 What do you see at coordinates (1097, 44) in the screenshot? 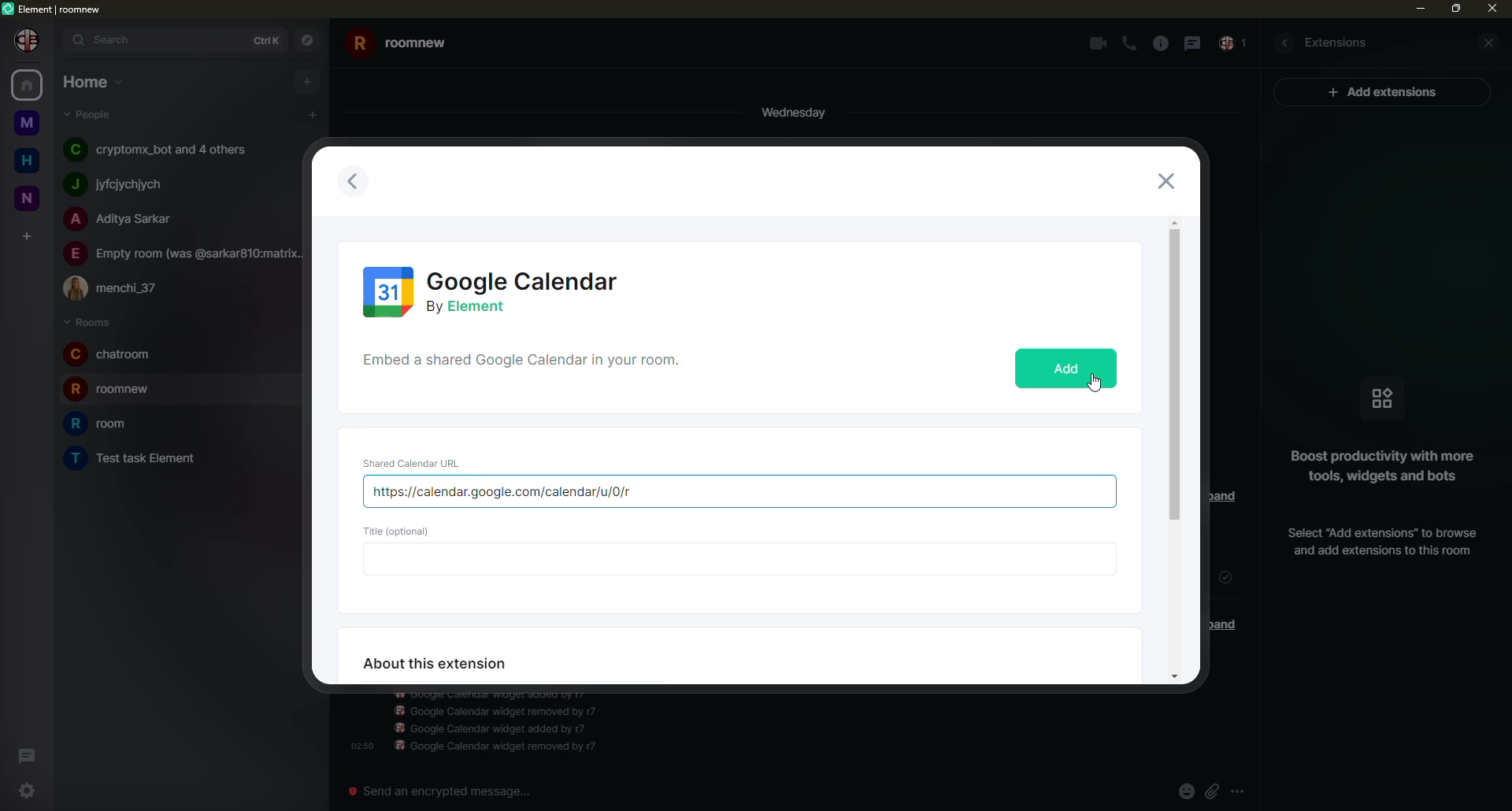
I see `video` at bounding box center [1097, 44].